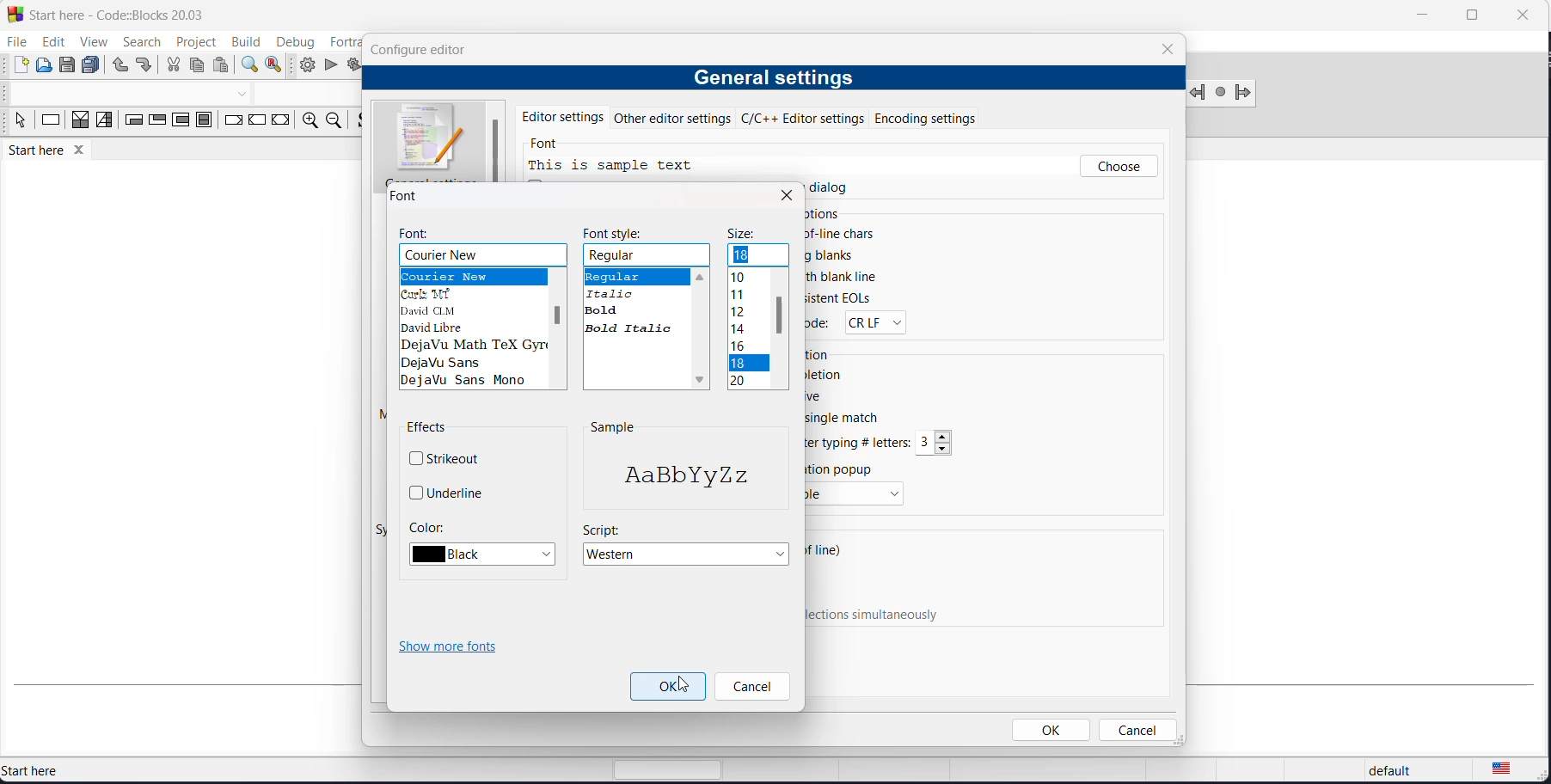 This screenshot has width=1551, height=784. Describe the element at coordinates (668, 687) in the screenshot. I see `ok` at that location.